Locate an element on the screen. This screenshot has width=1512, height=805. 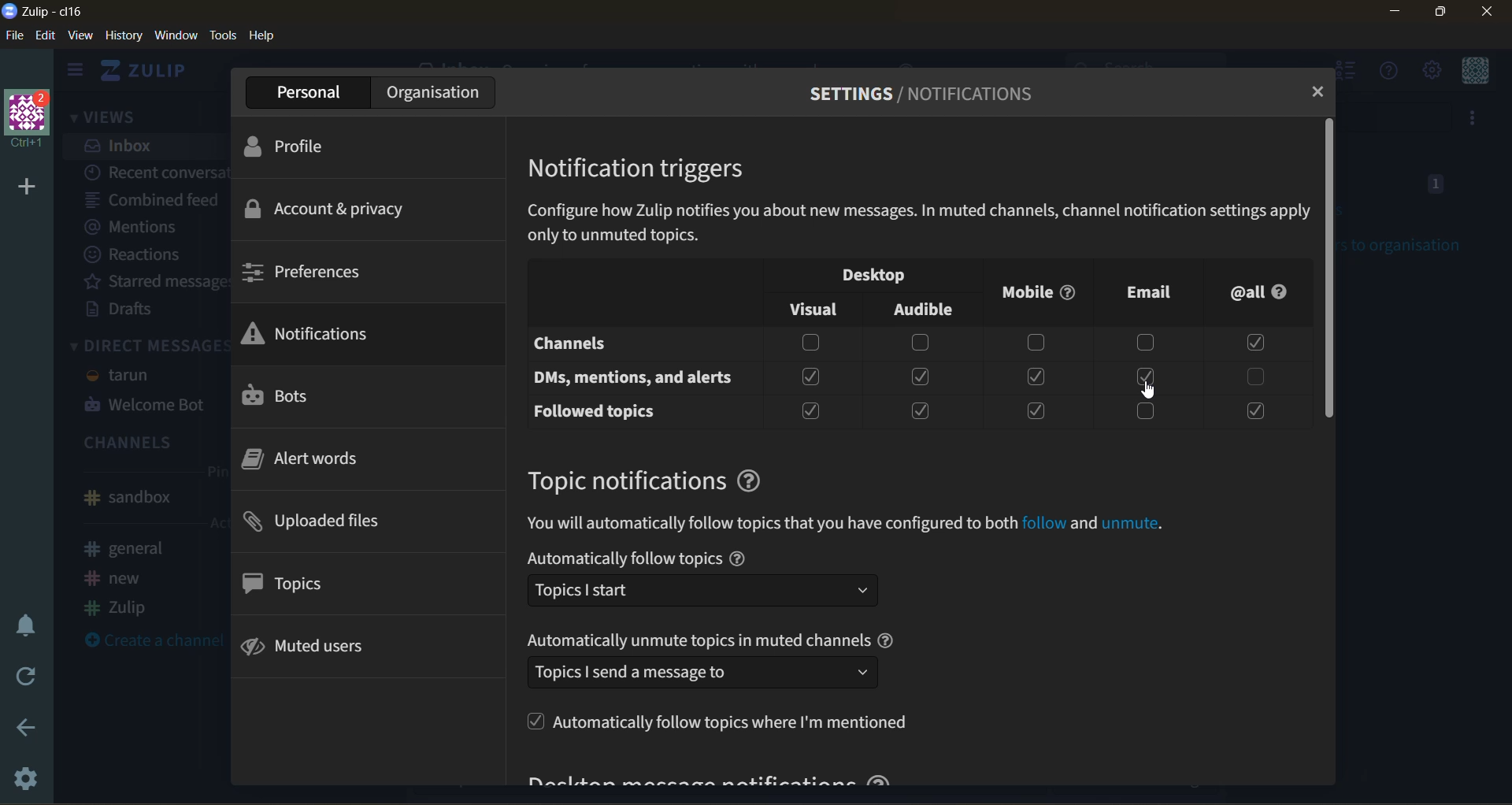
checkbox is located at coordinates (1034, 342).